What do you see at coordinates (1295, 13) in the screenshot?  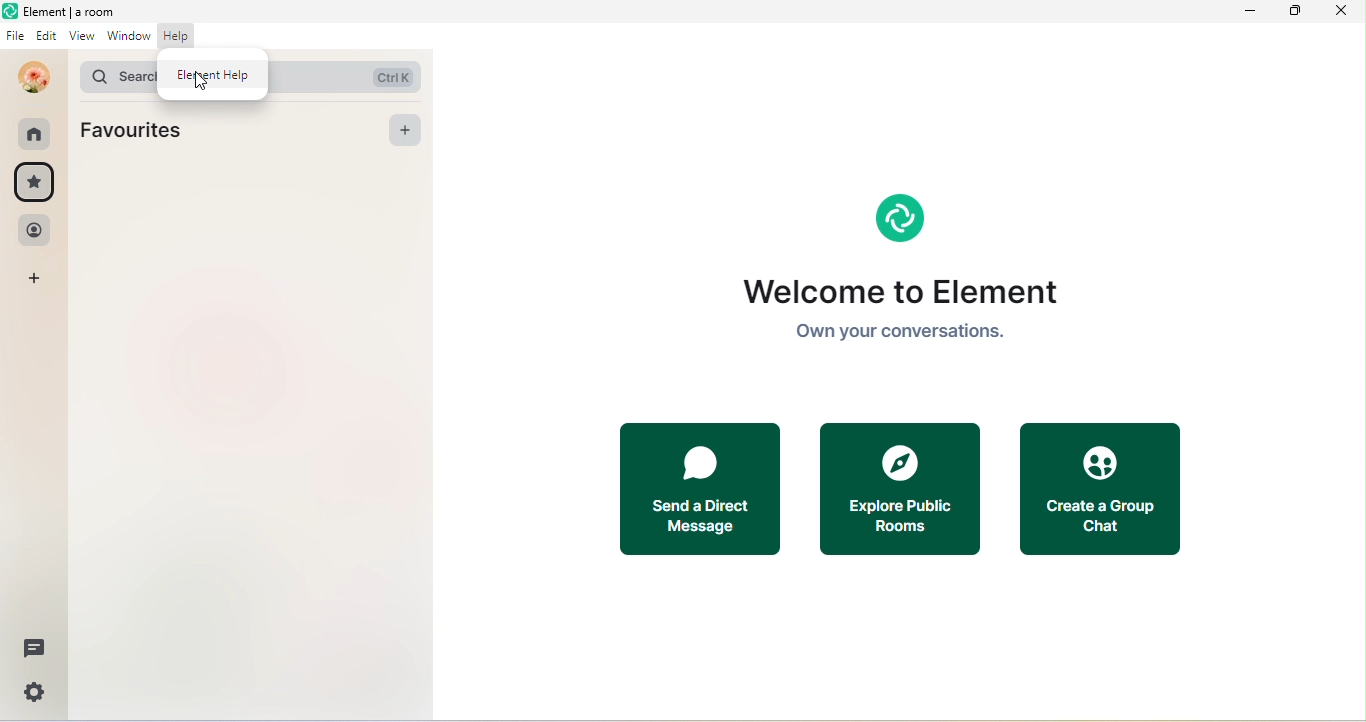 I see `maximize` at bounding box center [1295, 13].